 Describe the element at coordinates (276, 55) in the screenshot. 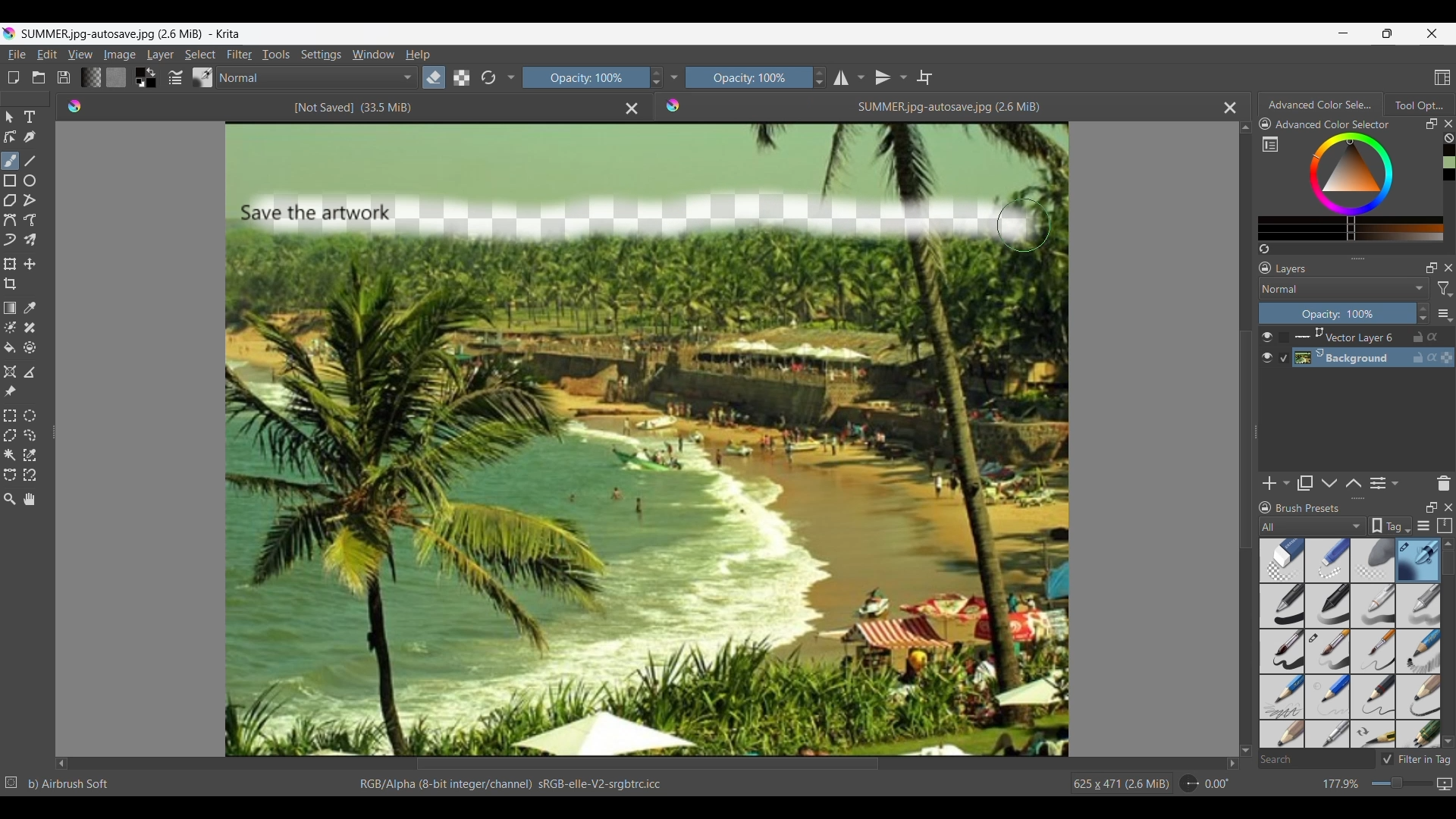

I see `Tools` at that location.